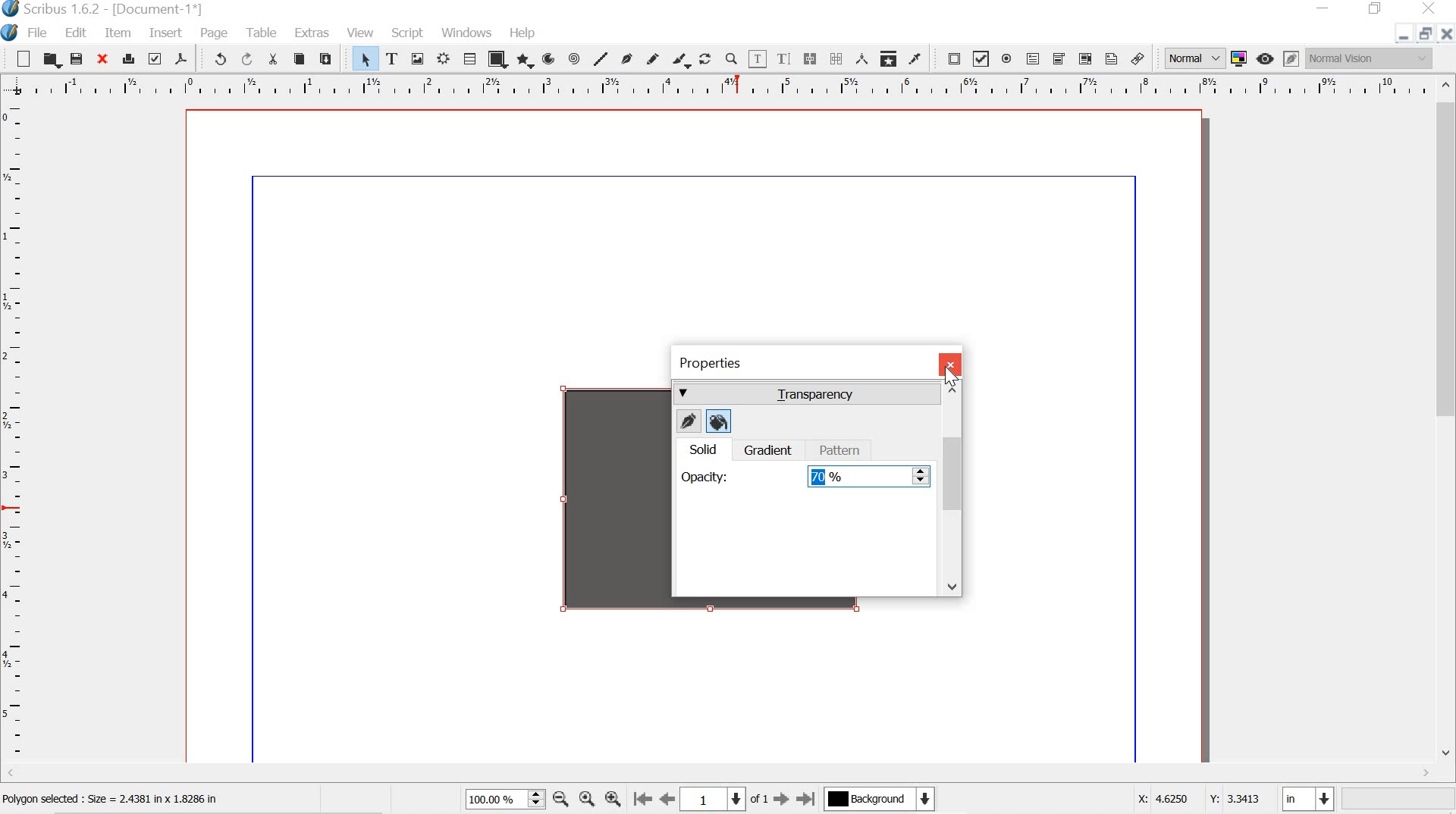 The image size is (1456, 814). Describe the element at coordinates (719, 423) in the screenshot. I see `edit fill color properties` at that location.